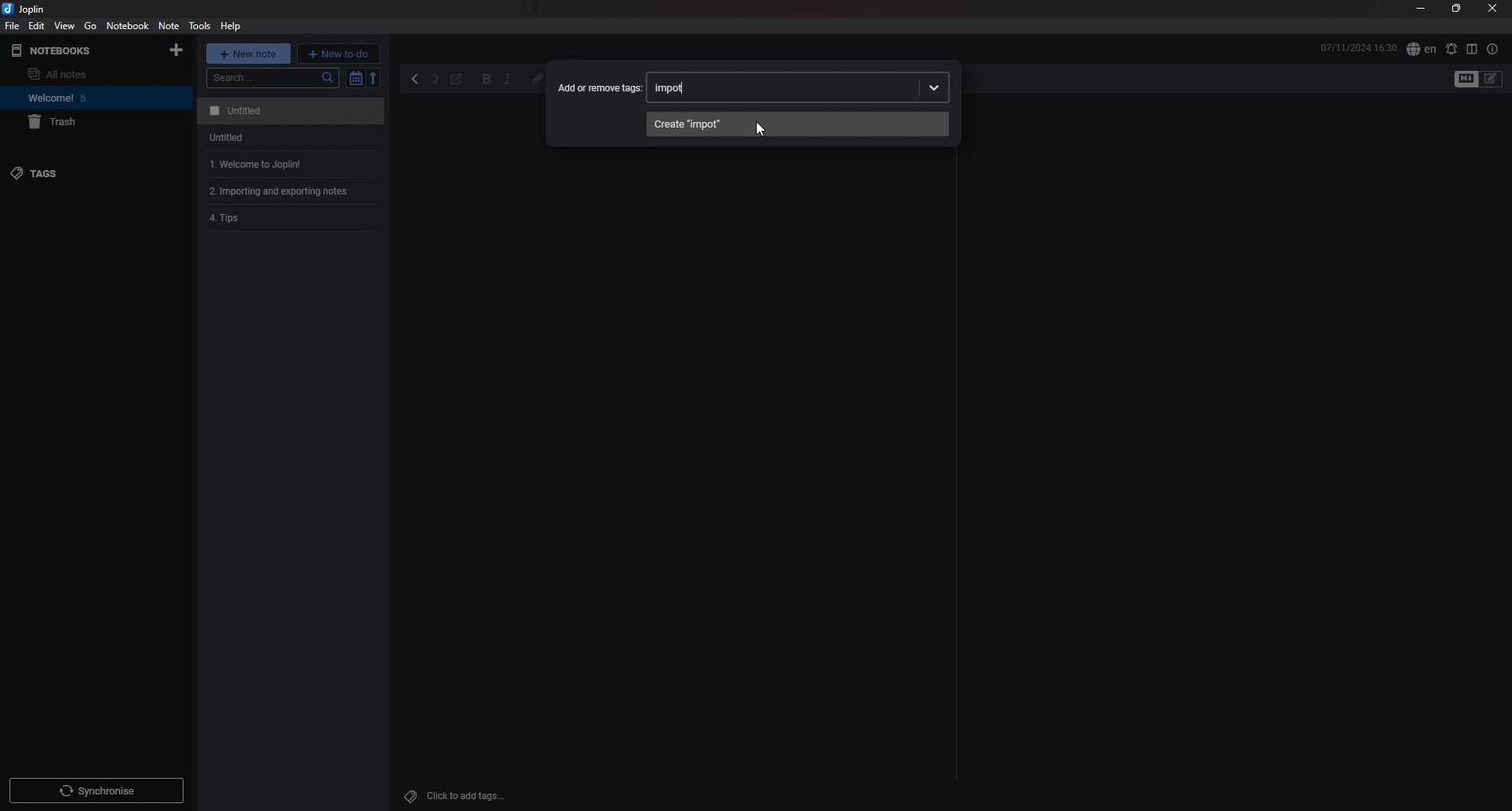  Describe the element at coordinates (435, 81) in the screenshot. I see `forward` at that location.